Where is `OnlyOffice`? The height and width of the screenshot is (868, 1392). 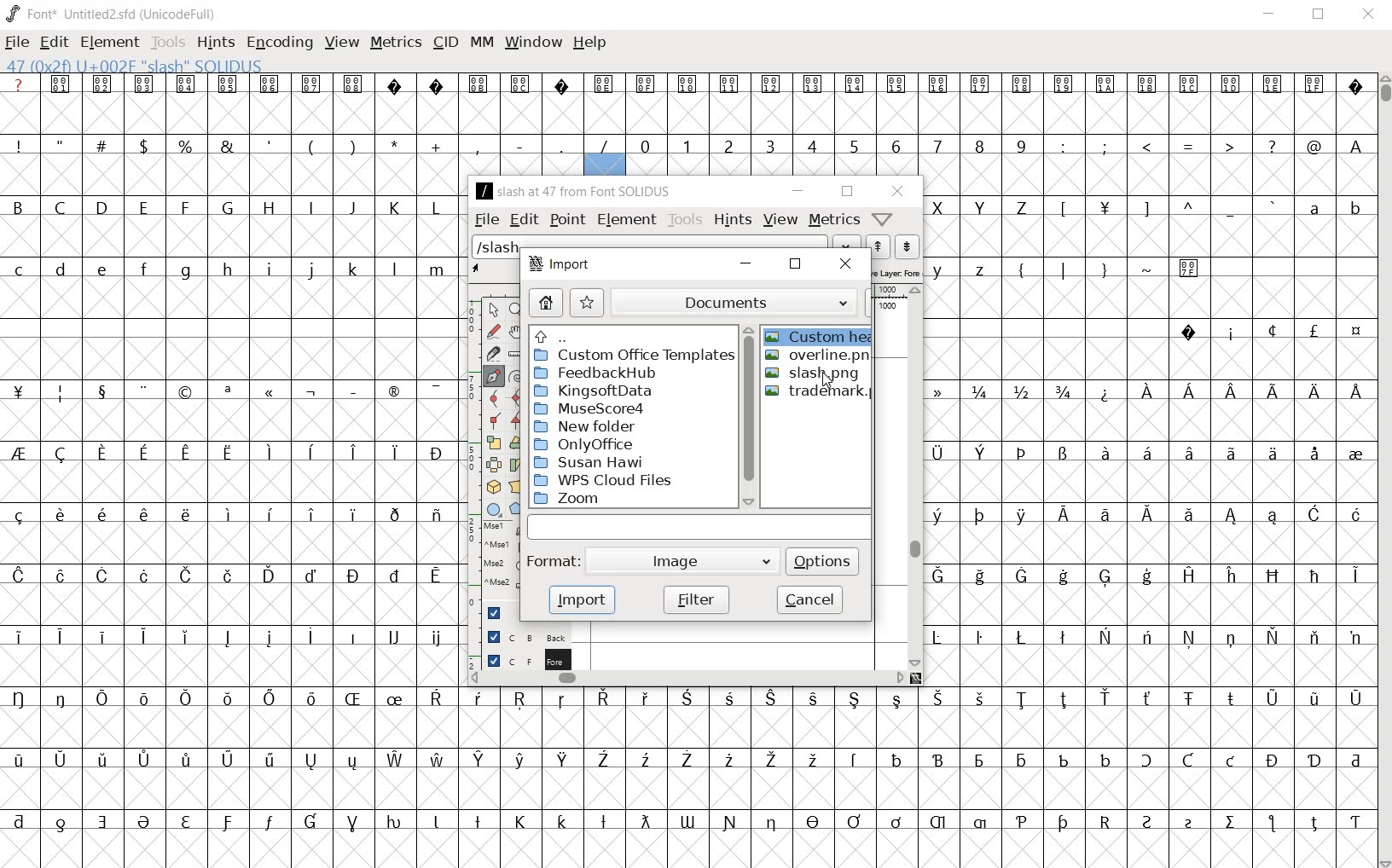 OnlyOffice is located at coordinates (587, 444).